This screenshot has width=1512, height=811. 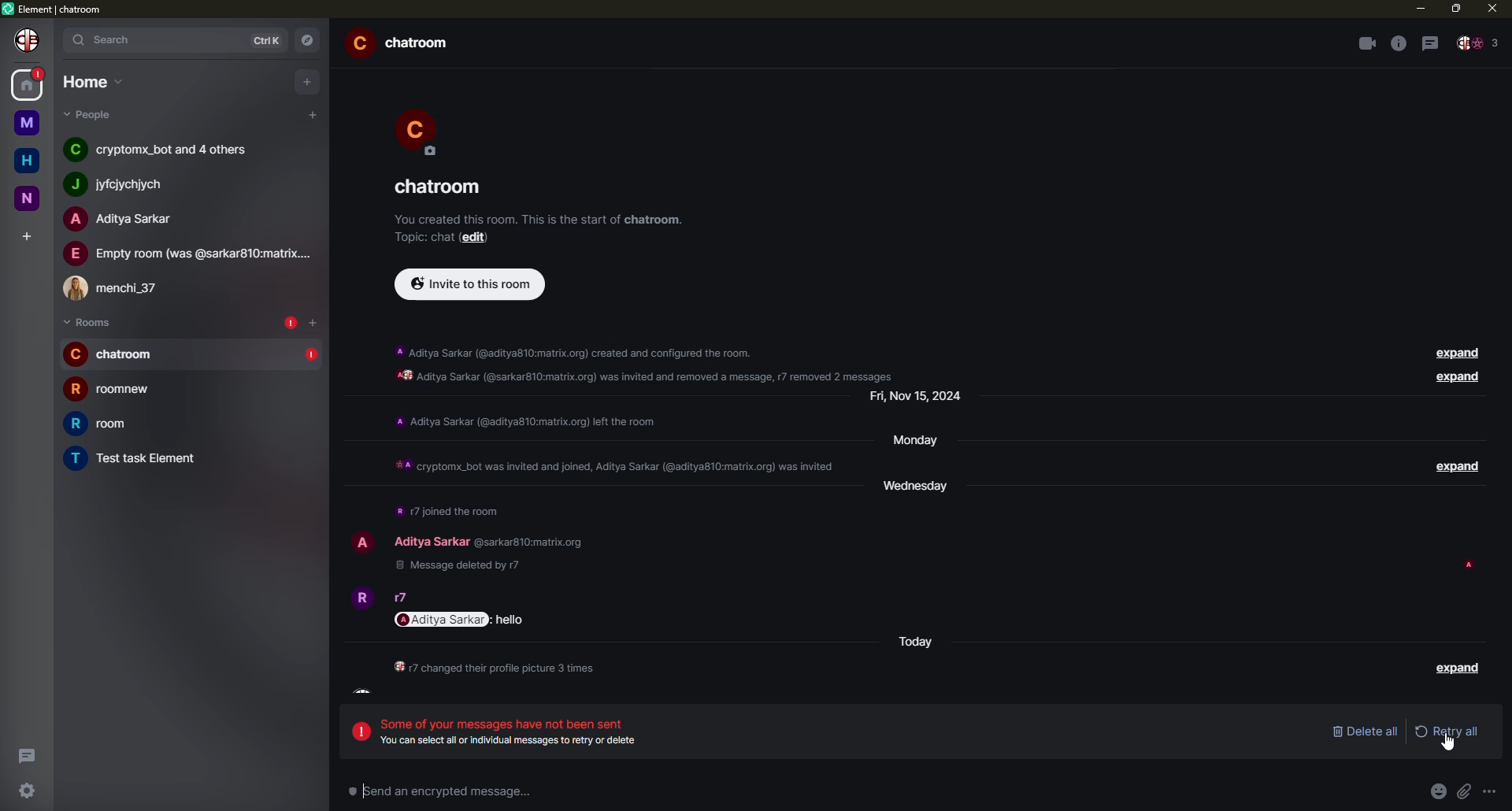 What do you see at coordinates (466, 565) in the screenshot?
I see `deleted` at bounding box center [466, 565].